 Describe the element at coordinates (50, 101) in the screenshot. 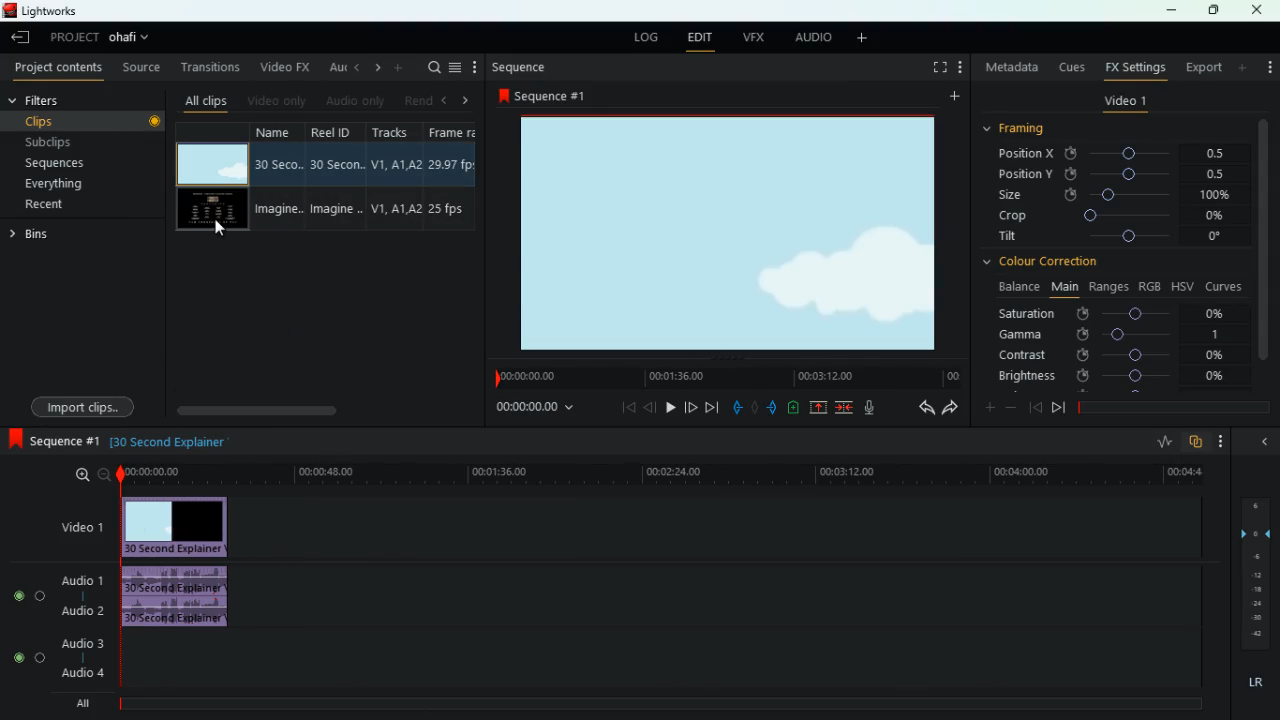

I see `filters` at that location.